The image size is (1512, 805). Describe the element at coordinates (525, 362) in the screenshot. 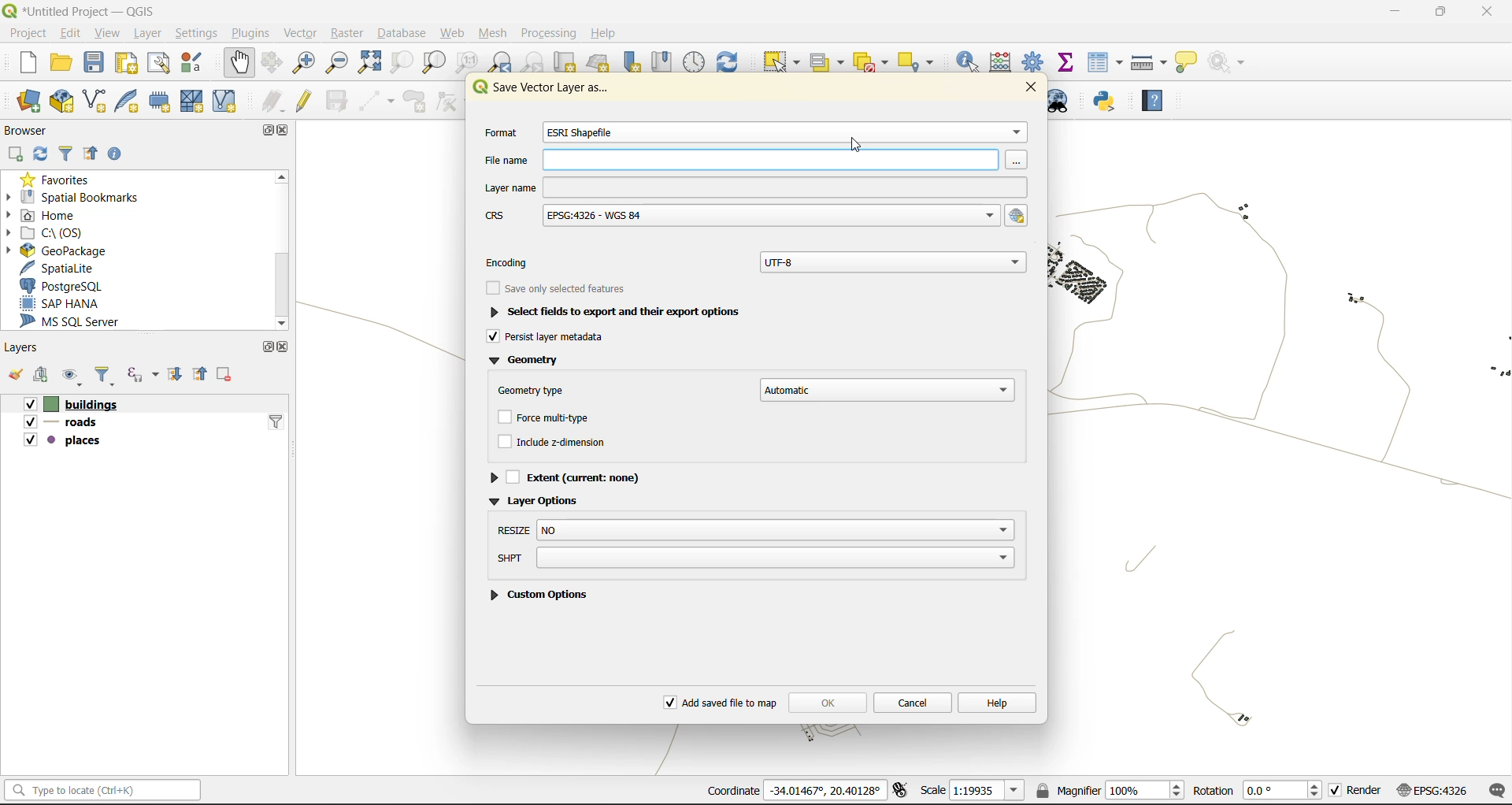

I see `geometry` at that location.